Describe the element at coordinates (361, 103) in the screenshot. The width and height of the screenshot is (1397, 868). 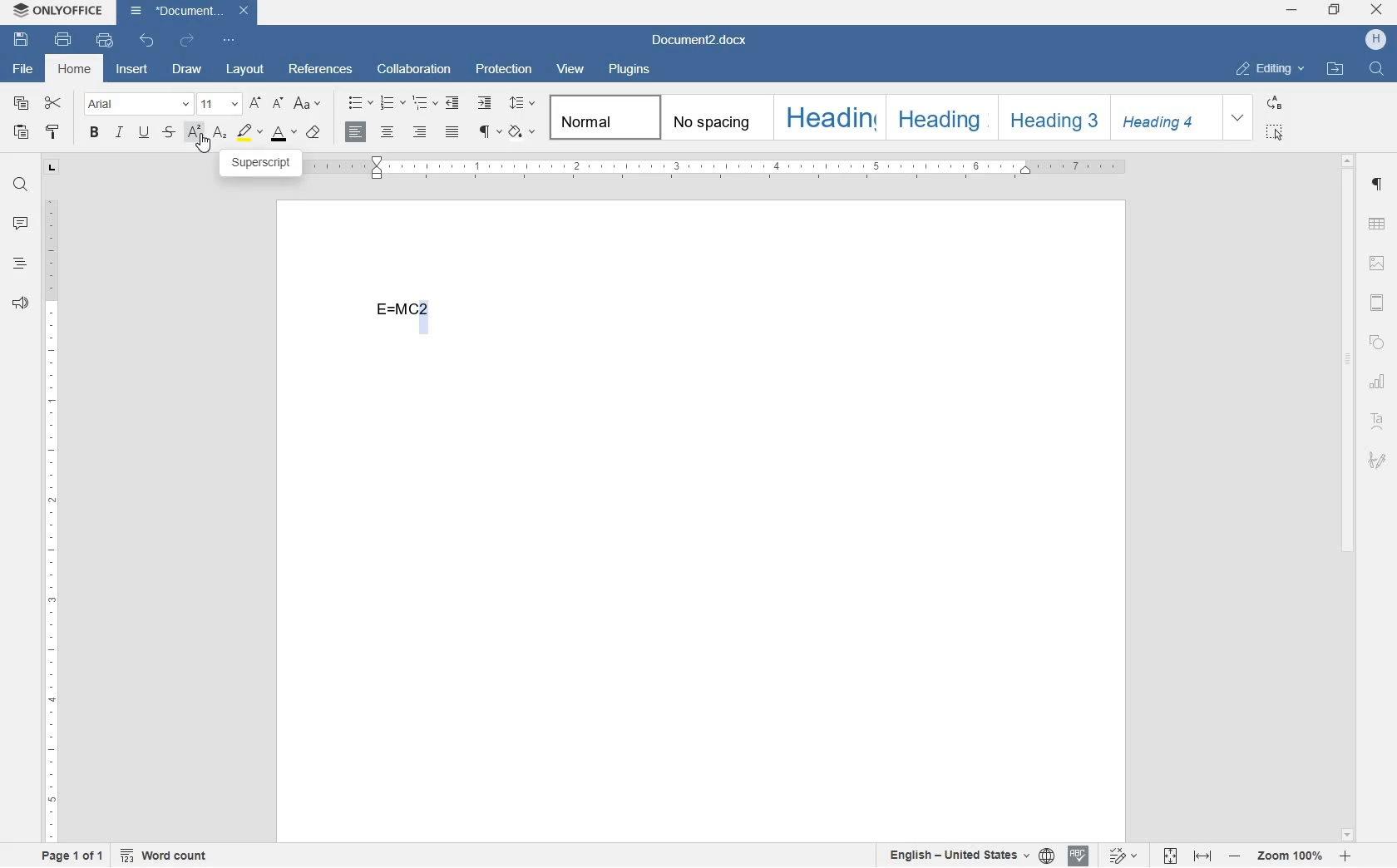
I see `bullets` at that location.